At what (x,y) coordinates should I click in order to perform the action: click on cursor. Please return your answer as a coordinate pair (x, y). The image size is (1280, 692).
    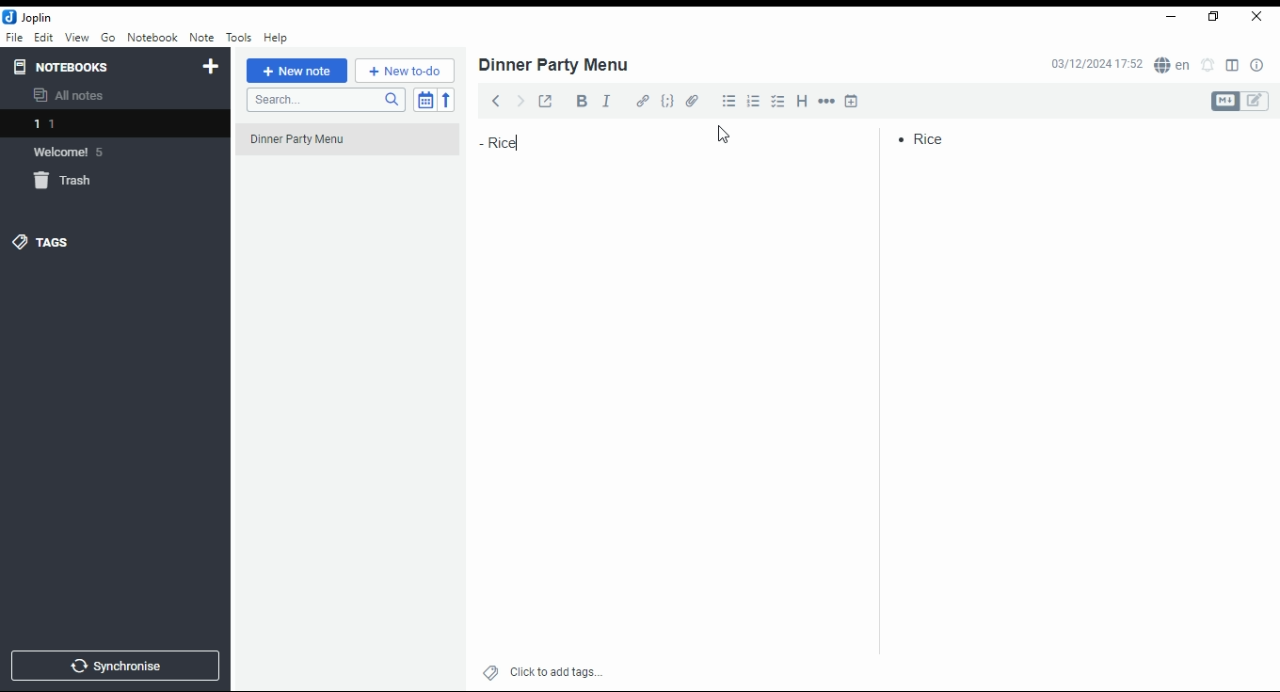
    Looking at the image, I should click on (726, 136).